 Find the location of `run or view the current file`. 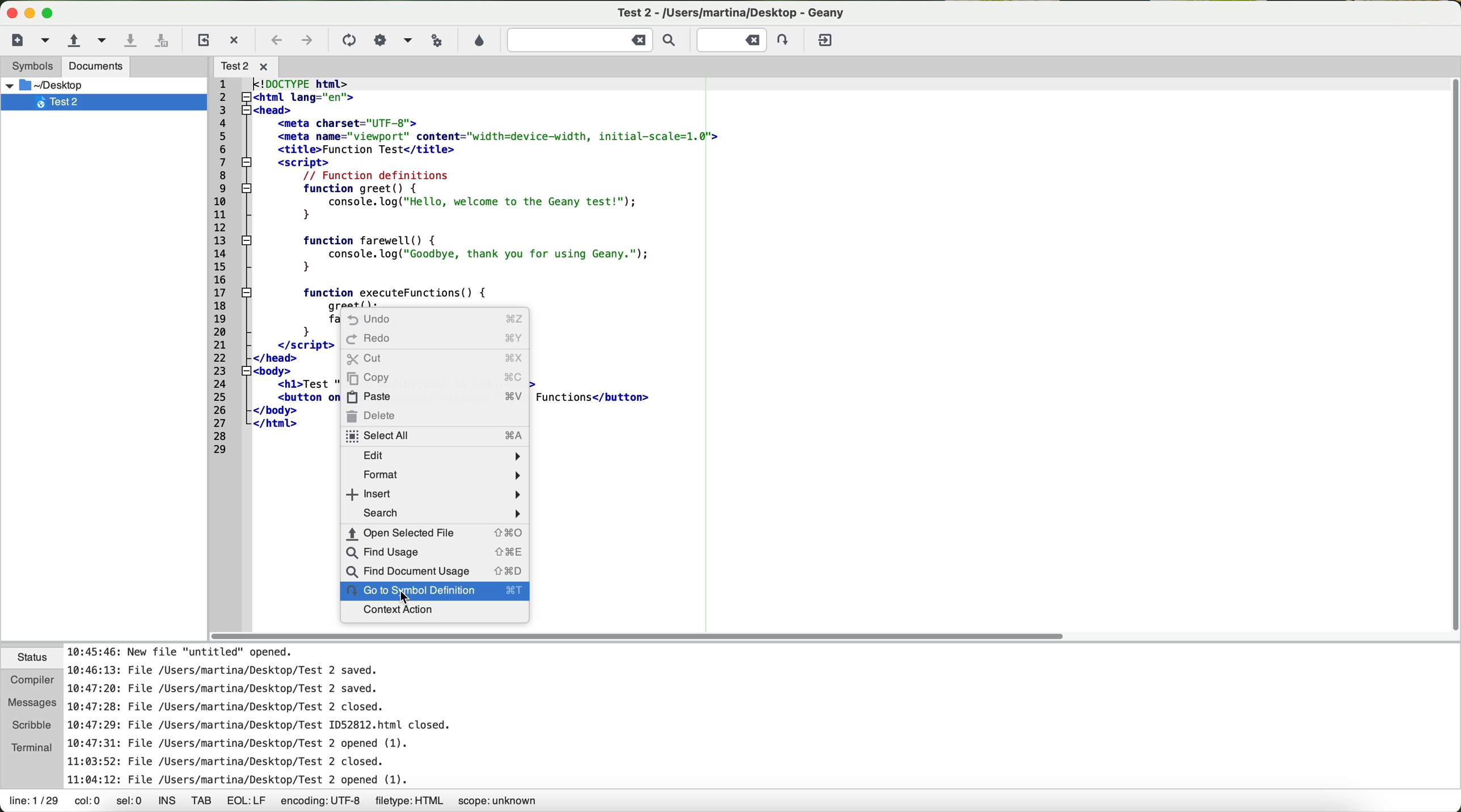

run or view the current file is located at coordinates (434, 40).